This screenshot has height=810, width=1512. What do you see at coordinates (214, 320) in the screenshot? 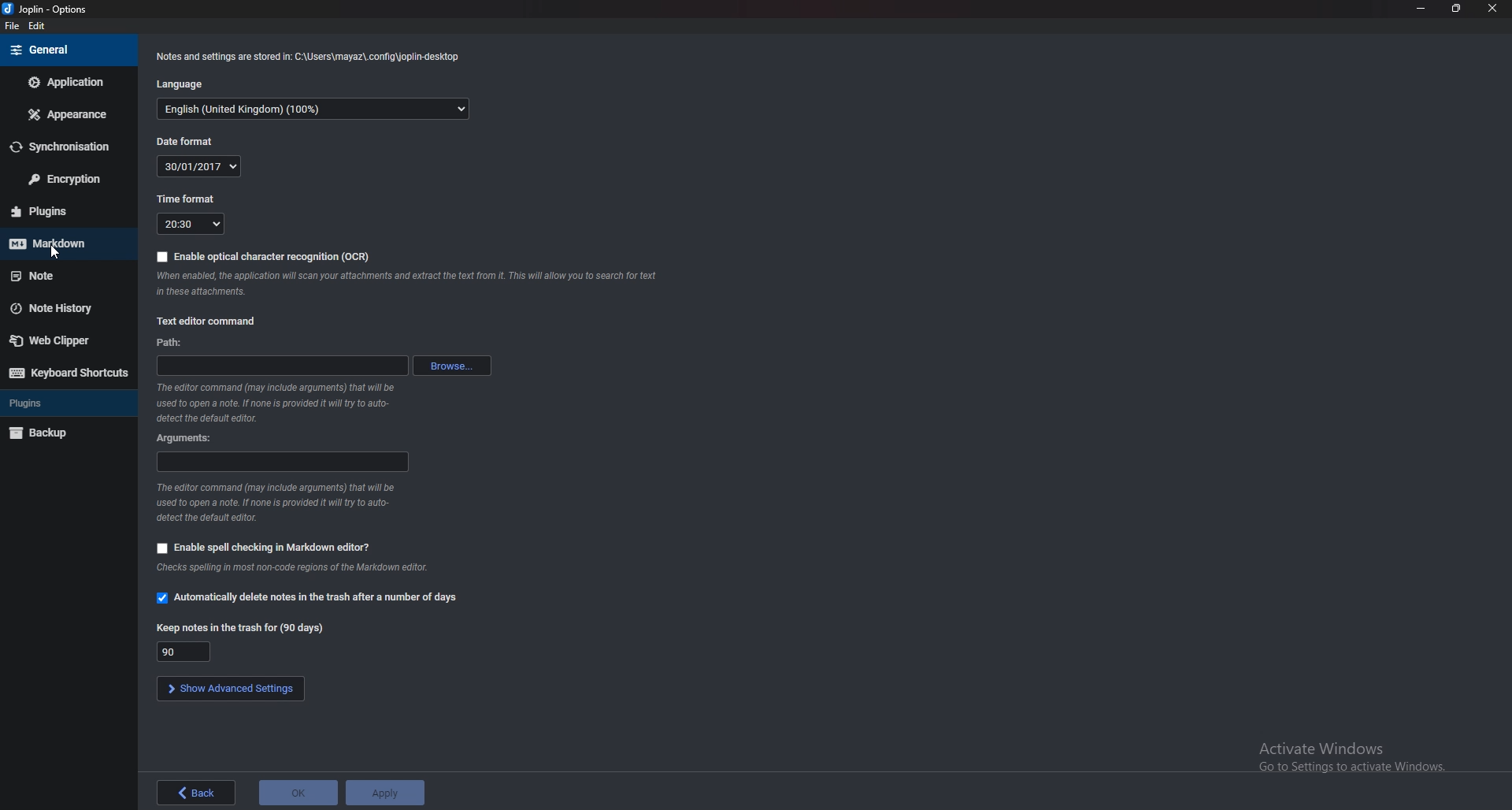
I see `Text editor command` at bounding box center [214, 320].